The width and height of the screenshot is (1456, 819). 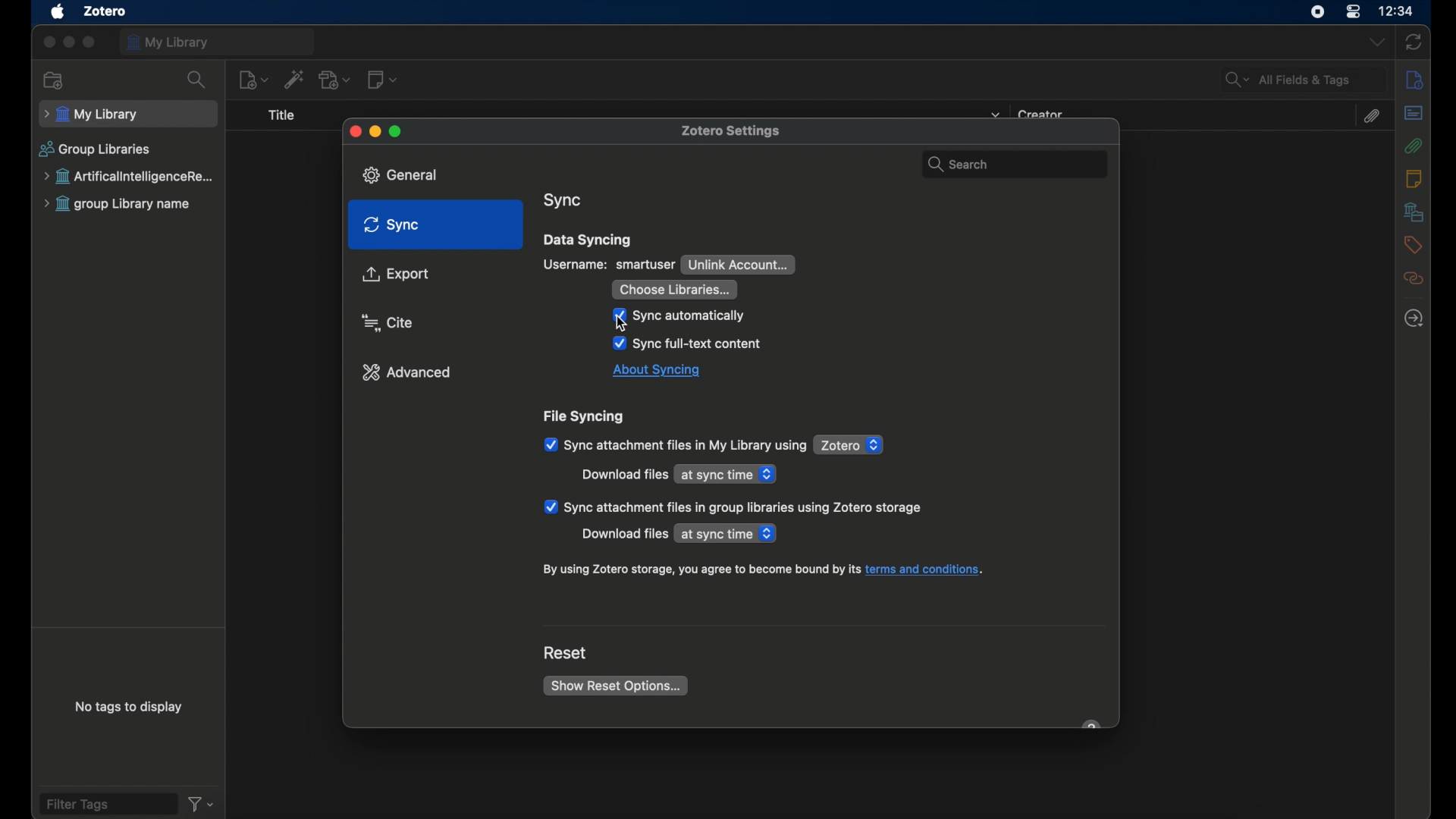 What do you see at coordinates (566, 653) in the screenshot?
I see `reset` at bounding box center [566, 653].